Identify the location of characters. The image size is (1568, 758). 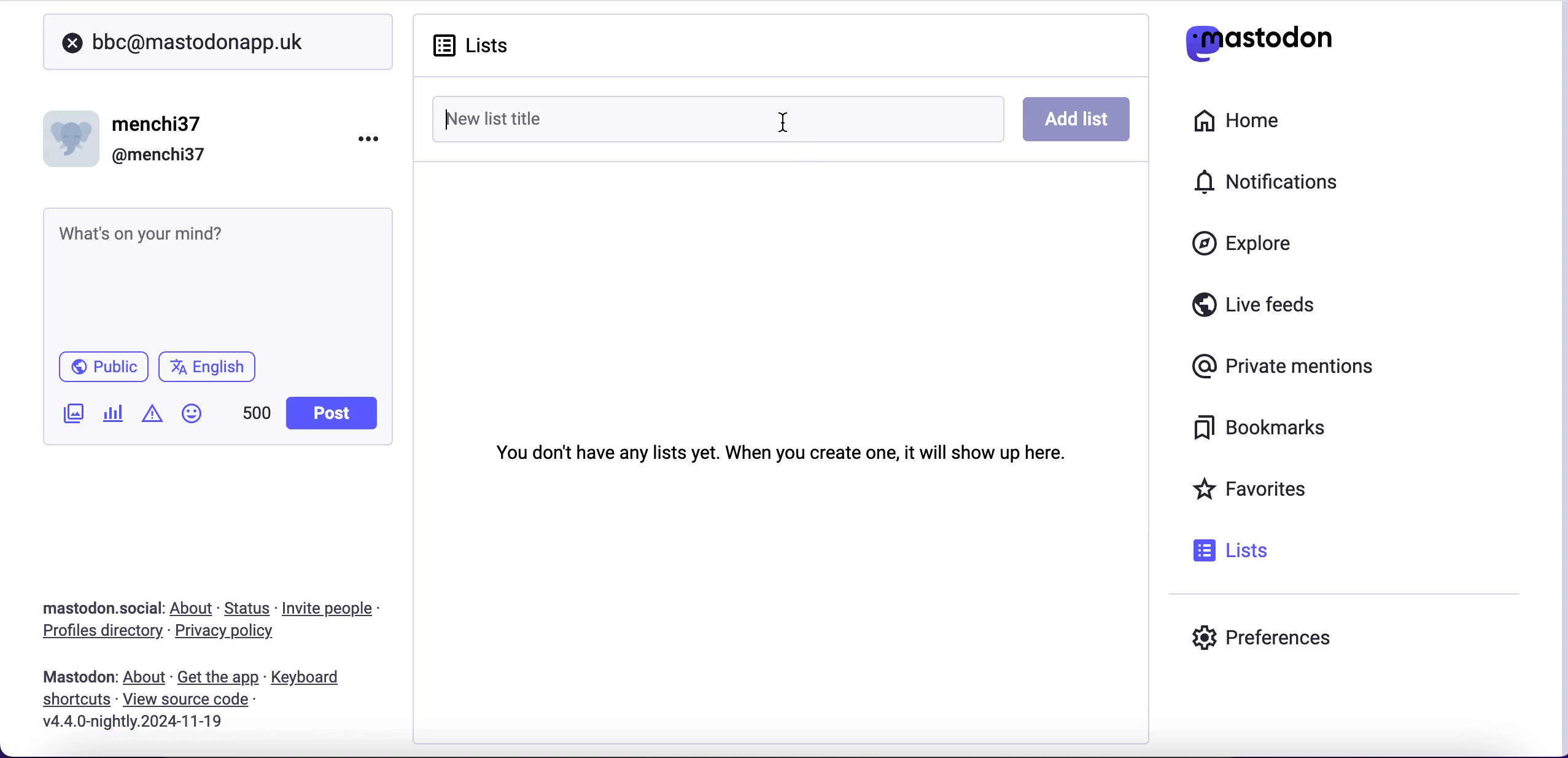
(257, 415).